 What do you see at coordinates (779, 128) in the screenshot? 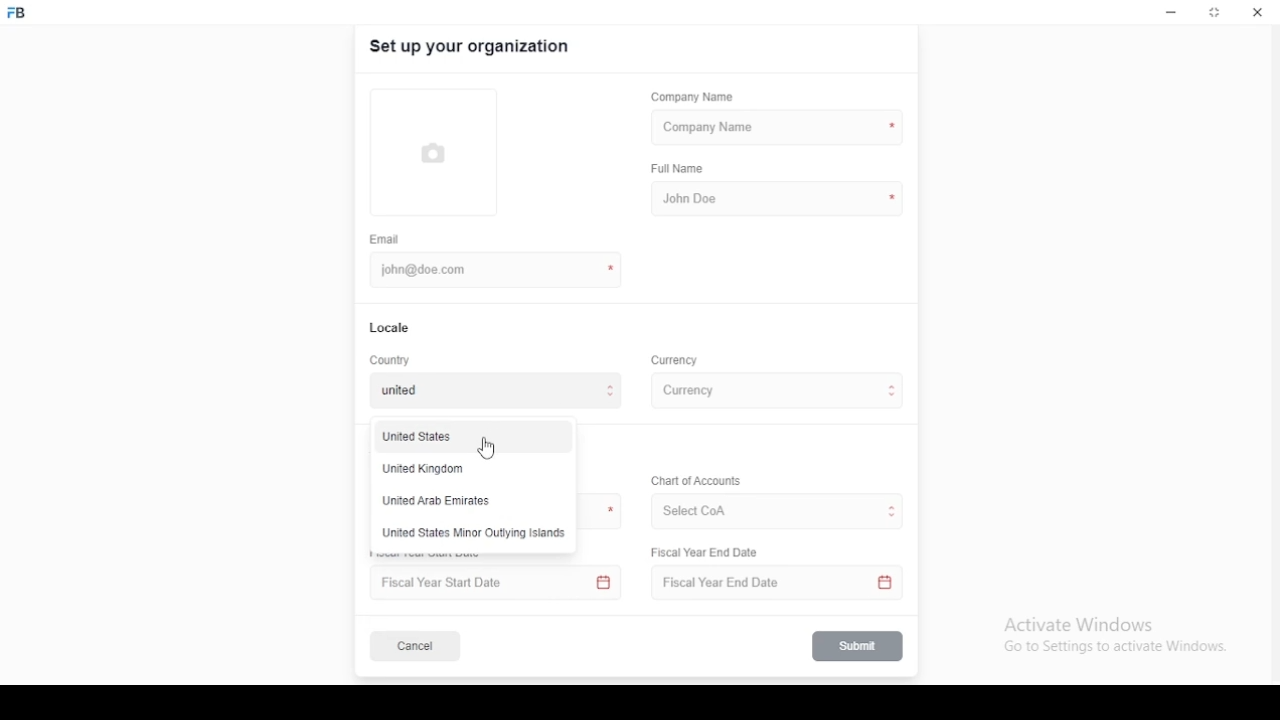
I see `company name` at bounding box center [779, 128].